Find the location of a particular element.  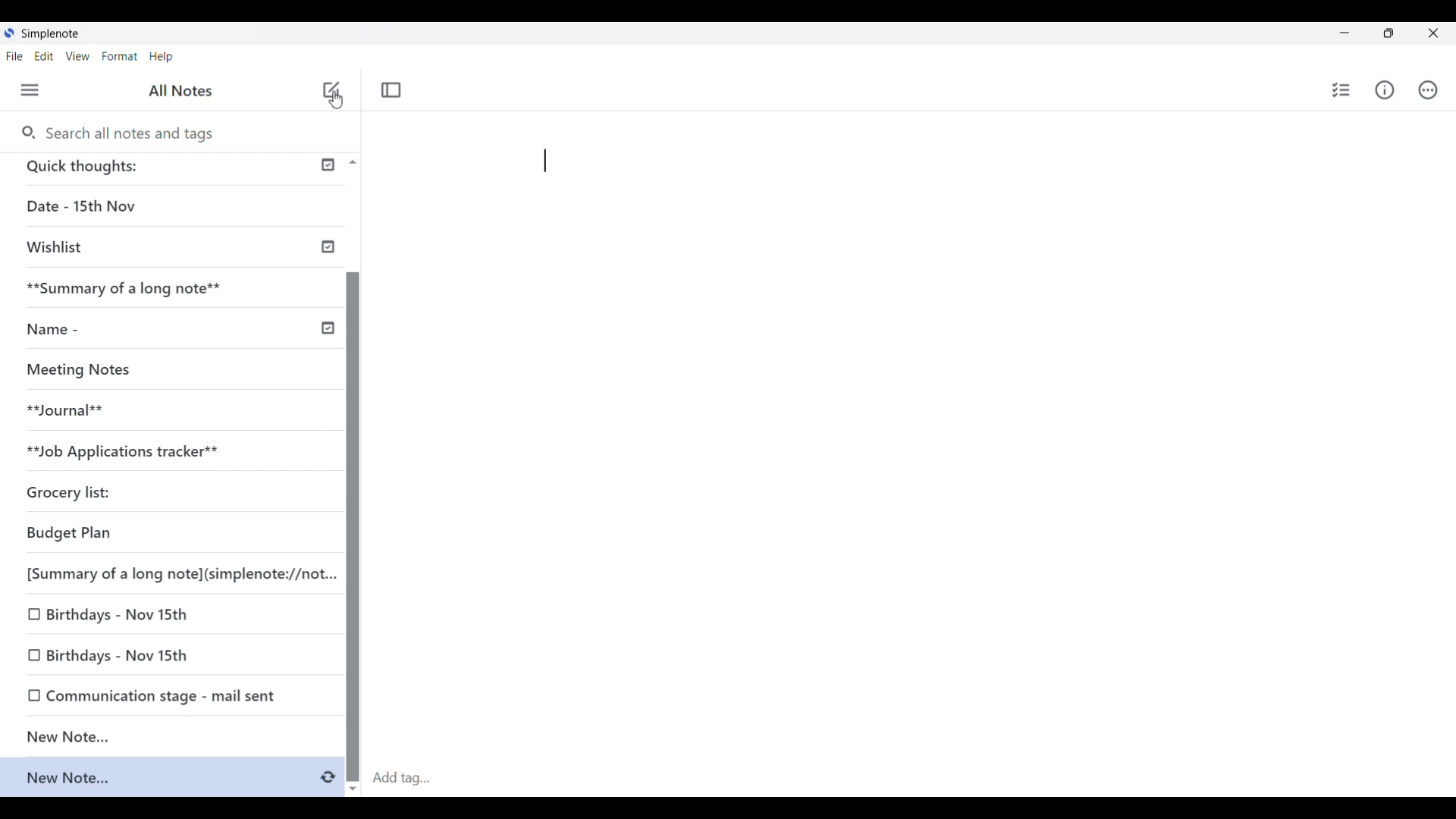

Insert checklist is located at coordinates (1342, 90).